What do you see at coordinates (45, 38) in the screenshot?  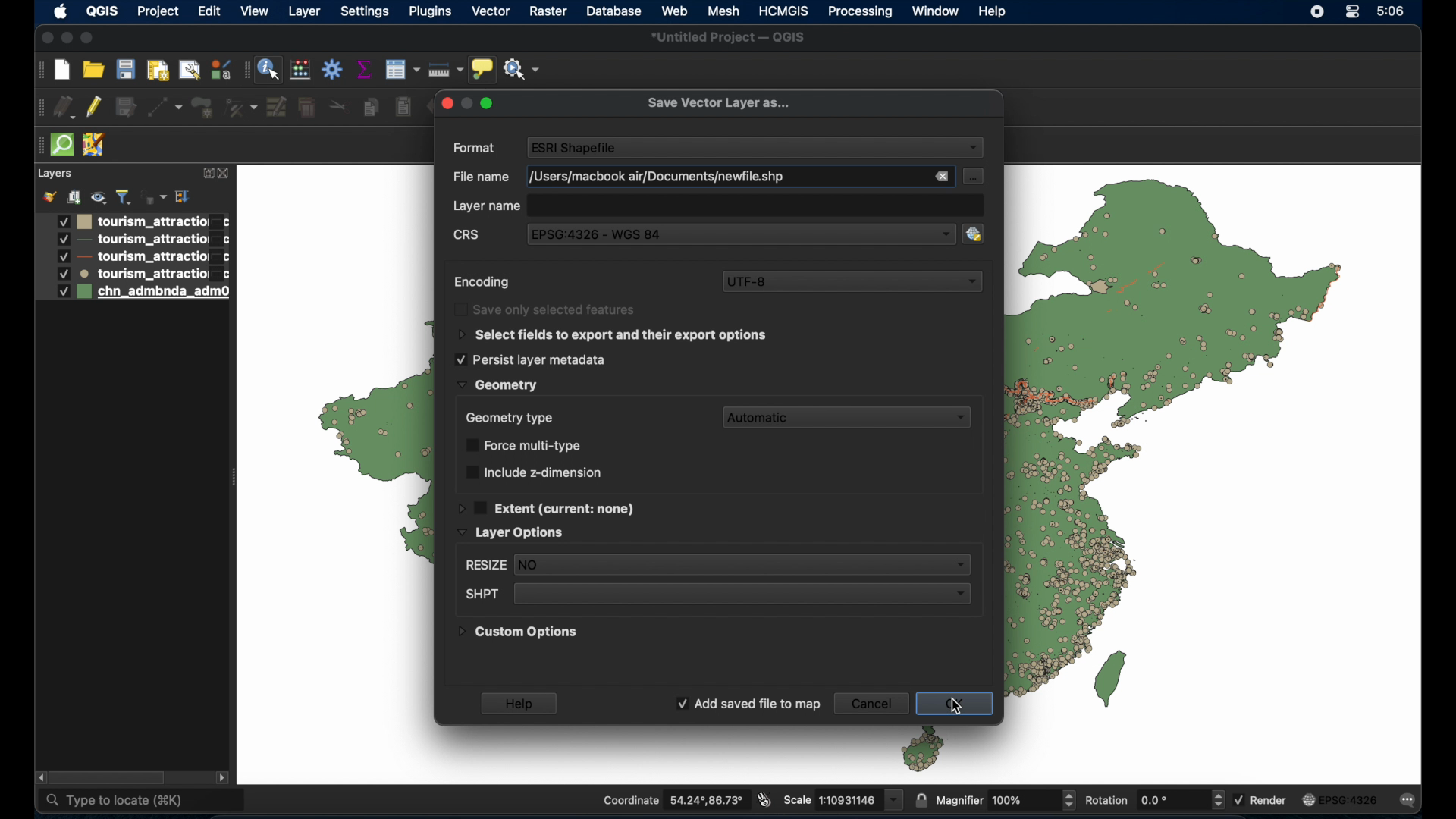 I see `close` at bounding box center [45, 38].